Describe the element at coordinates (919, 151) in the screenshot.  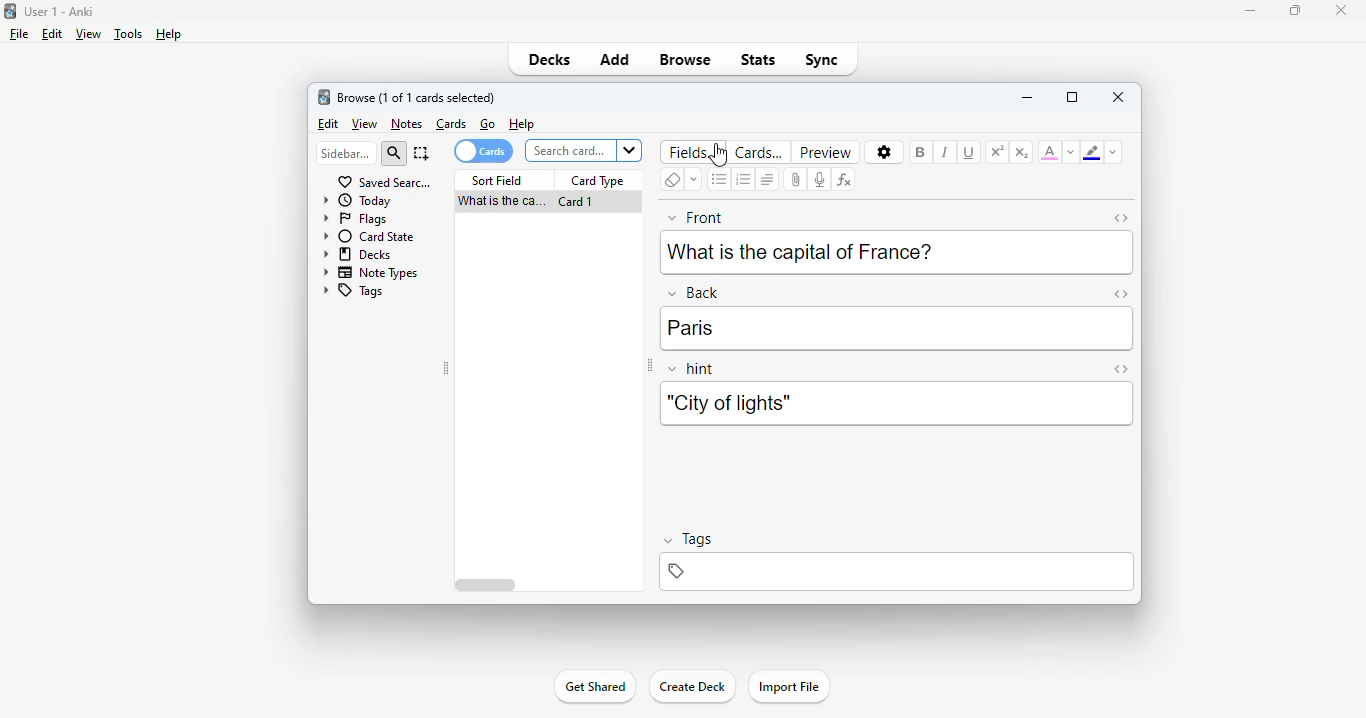
I see `bold` at that location.